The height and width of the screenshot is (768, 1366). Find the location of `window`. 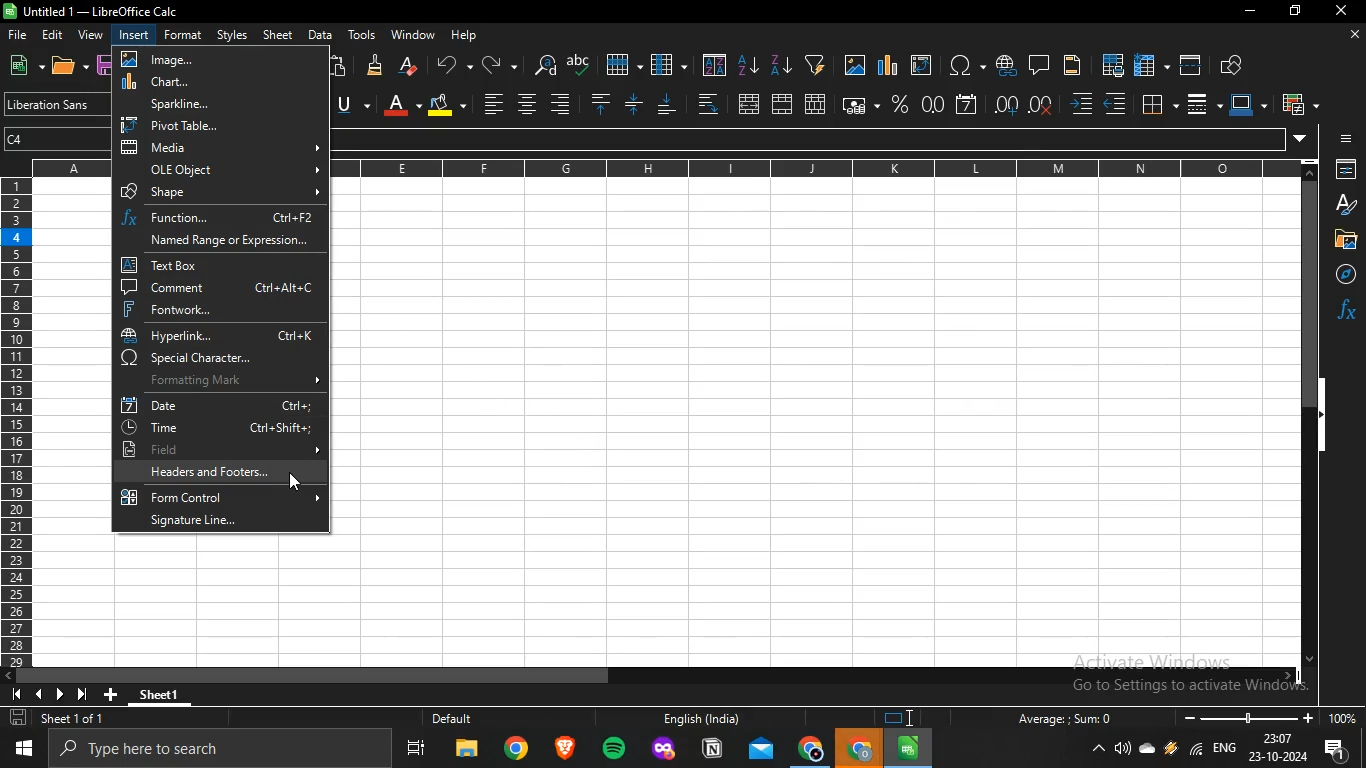

window is located at coordinates (413, 34).